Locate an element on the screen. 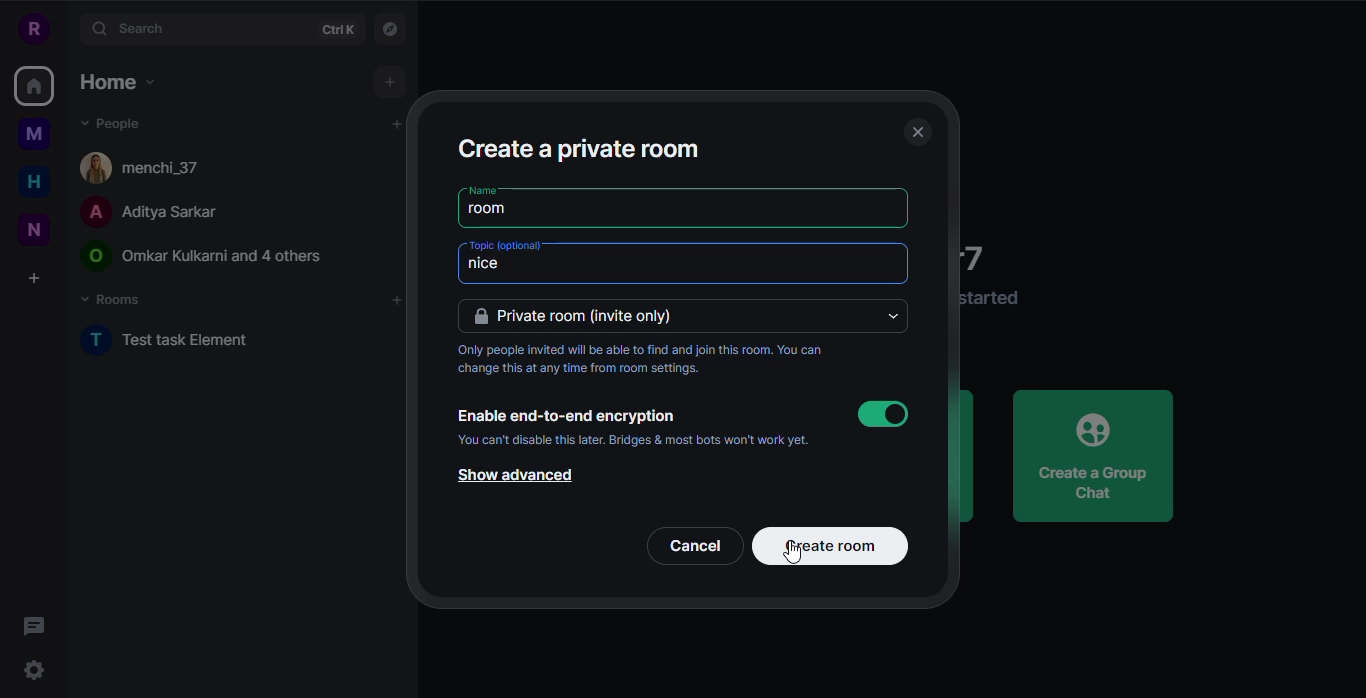 Image resolution: width=1366 pixels, height=698 pixels. show advanced is located at coordinates (511, 477).